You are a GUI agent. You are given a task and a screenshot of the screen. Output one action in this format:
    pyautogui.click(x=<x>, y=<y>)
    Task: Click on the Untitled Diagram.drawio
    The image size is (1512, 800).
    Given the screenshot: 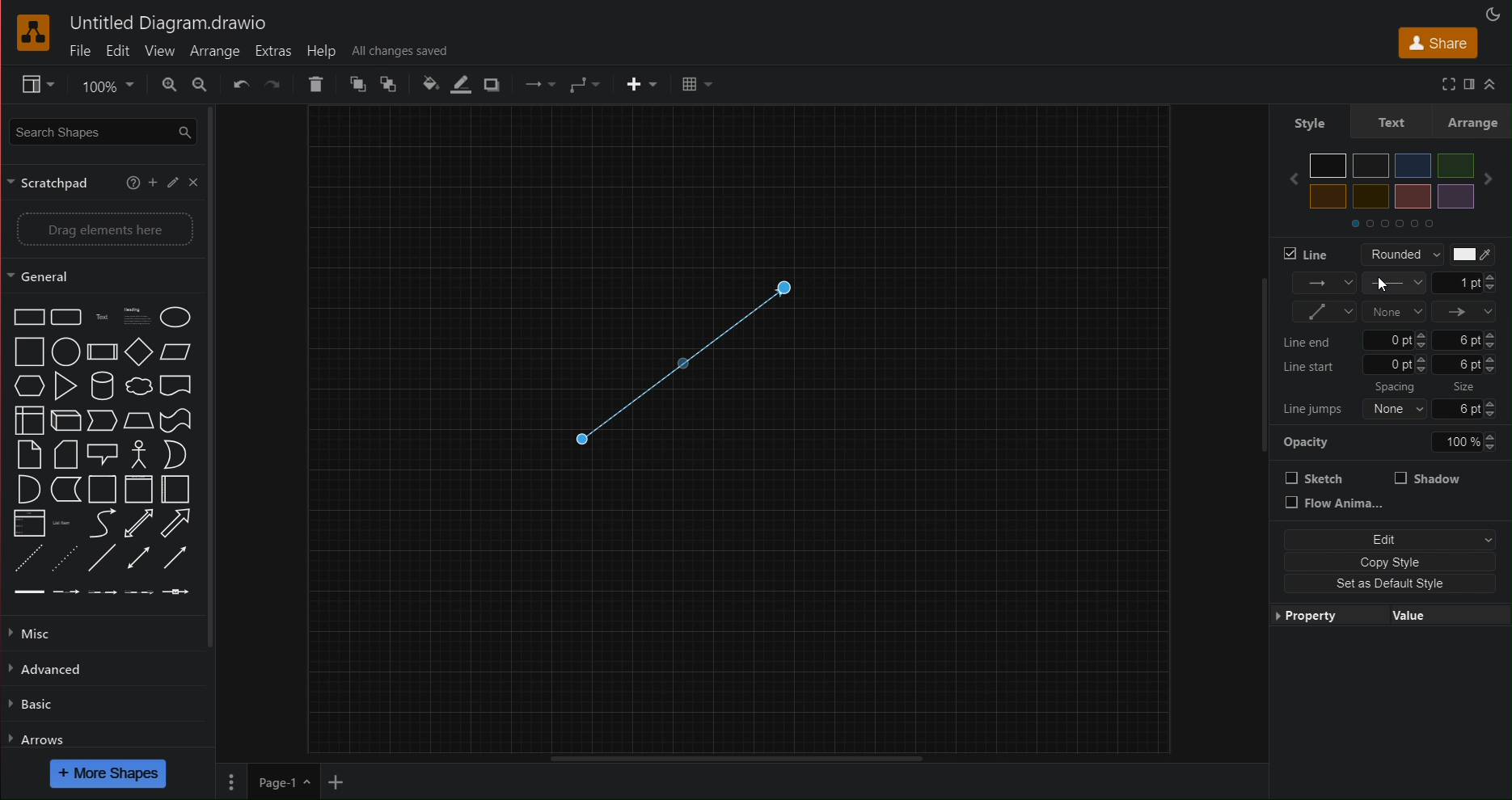 What is the action you would take?
    pyautogui.click(x=168, y=24)
    